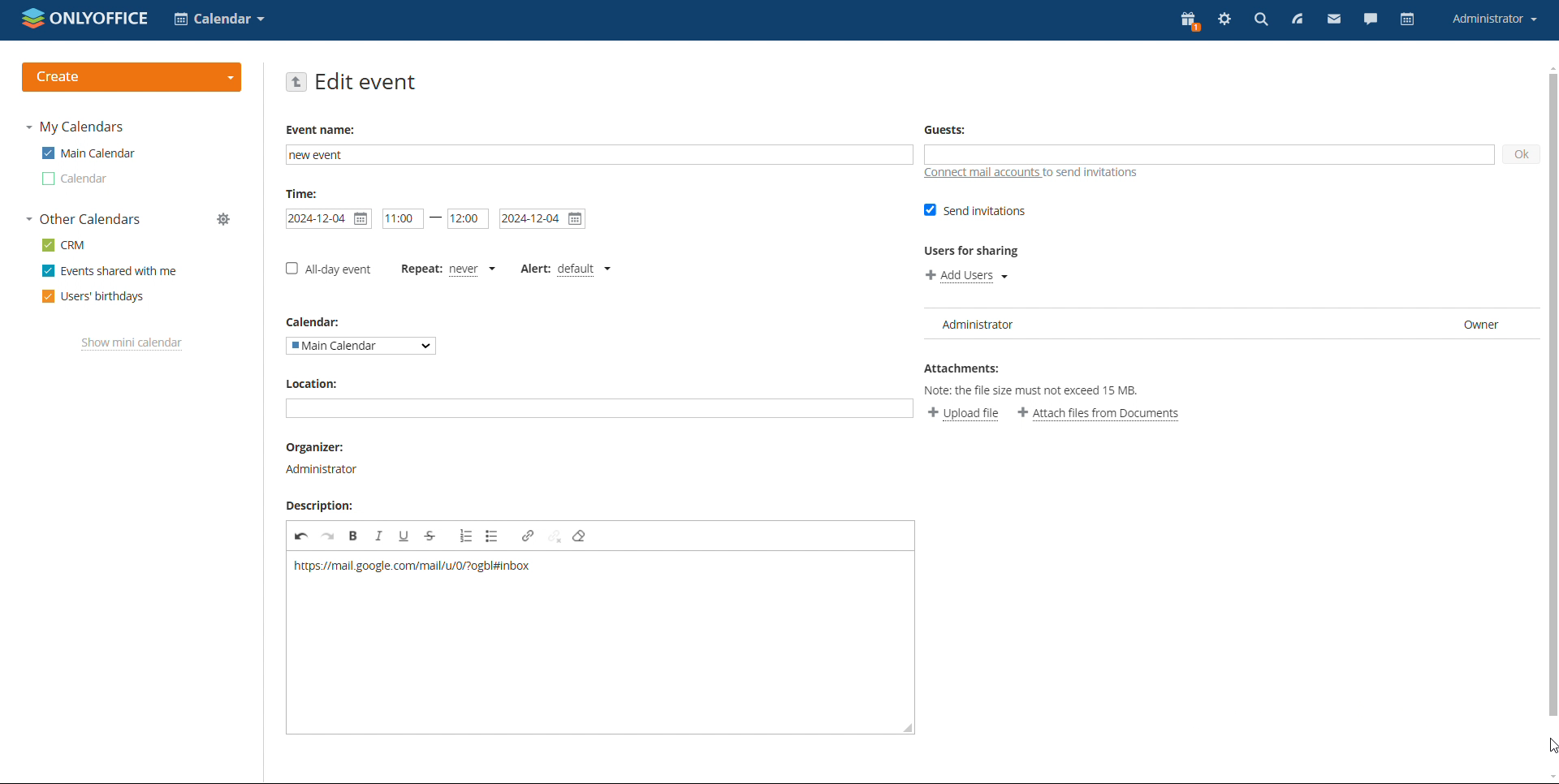 This screenshot has height=784, width=1559. Describe the element at coordinates (315, 382) in the screenshot. I see `Location:` at that location.